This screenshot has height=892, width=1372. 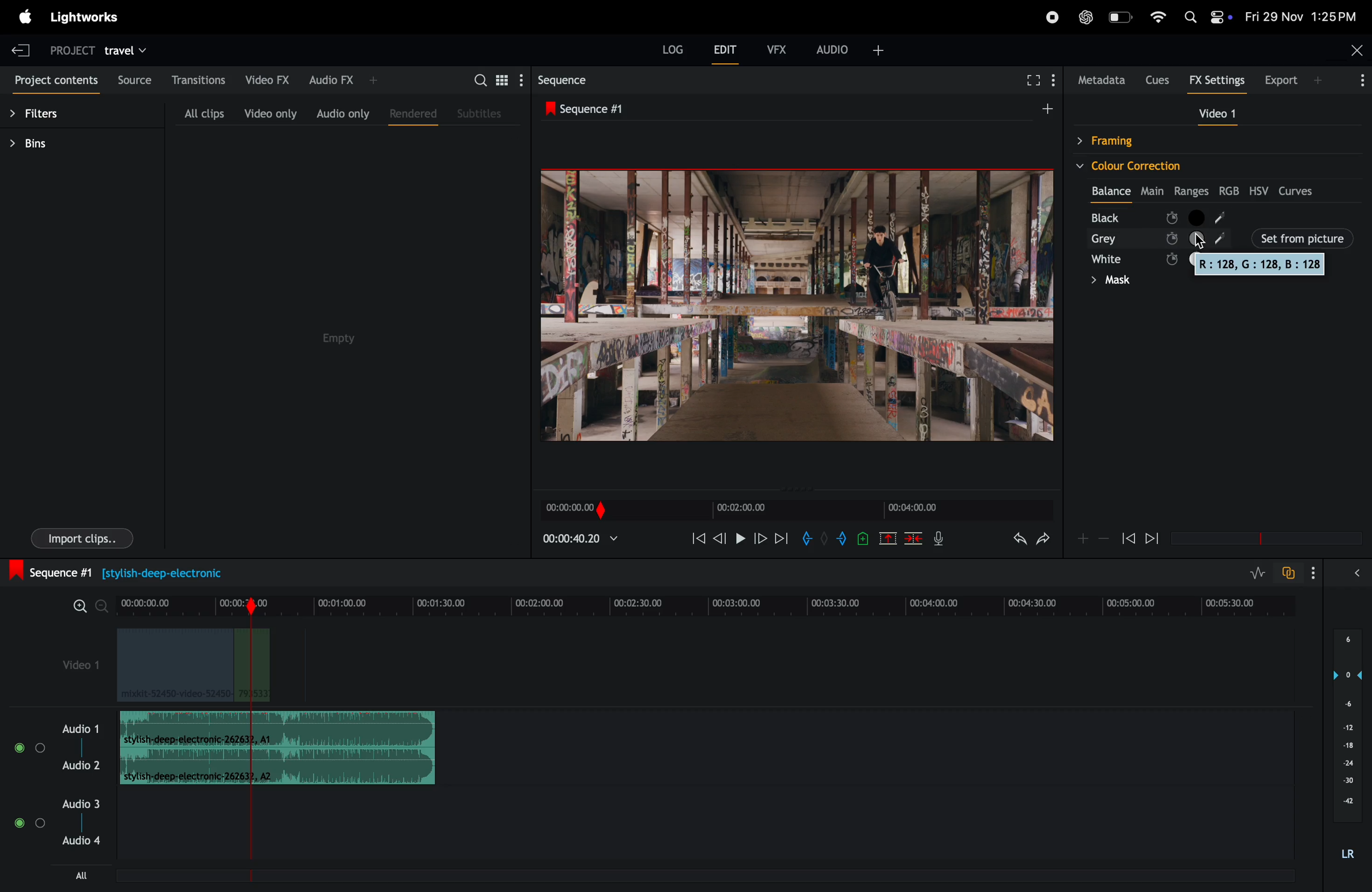 I want to click on battery, so click(x=1121, y=17).